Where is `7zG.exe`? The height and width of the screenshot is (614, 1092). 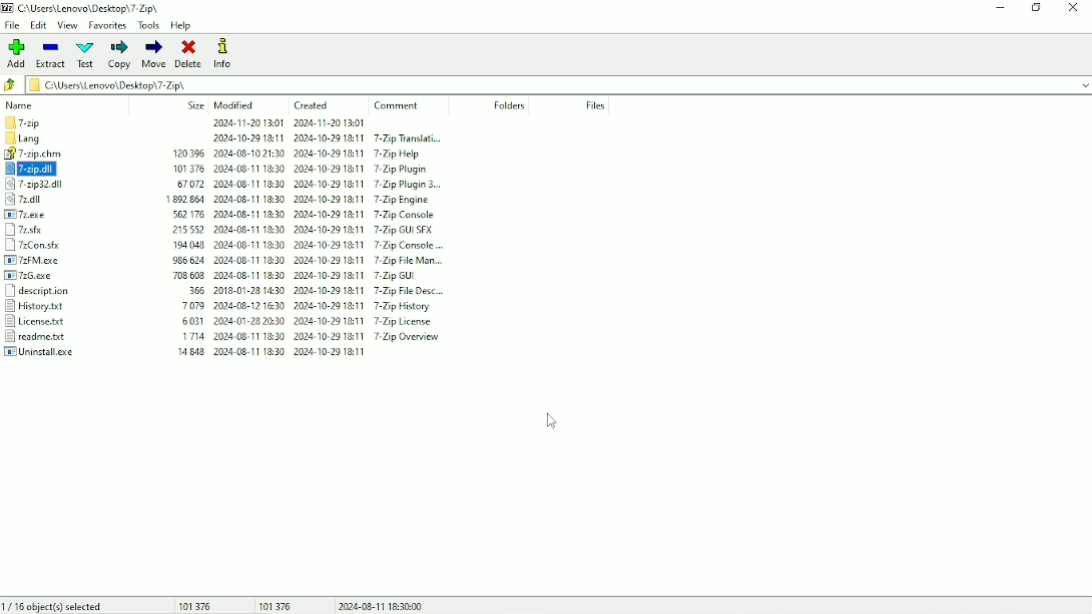 7zG.exe is located at coordinates (38, 275).